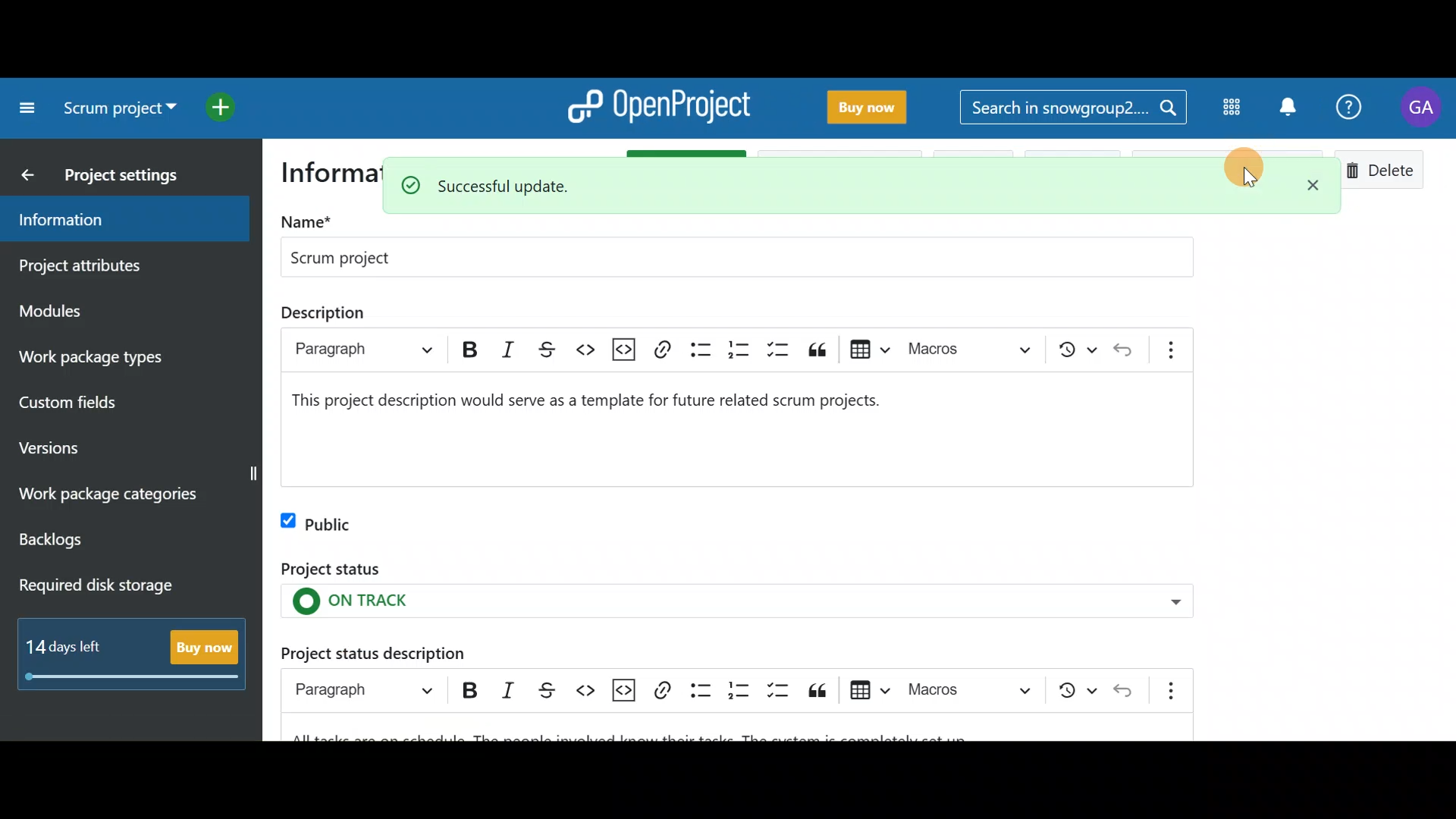 This screenshot has width=1456, height=819. I want to click on link, so click(663, 349).